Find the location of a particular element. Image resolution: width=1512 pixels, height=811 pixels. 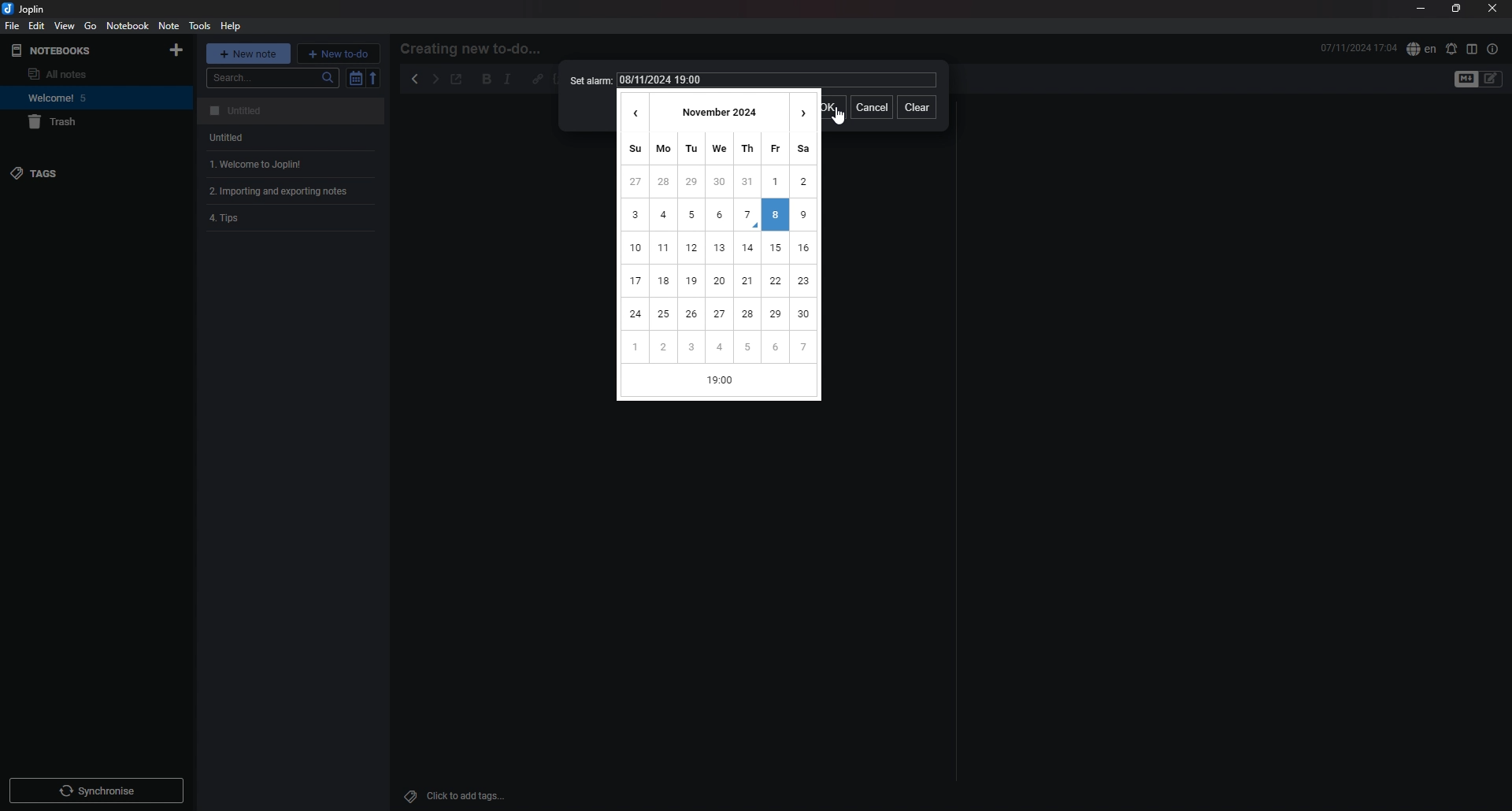

edit is located at coordinates (36, 26).